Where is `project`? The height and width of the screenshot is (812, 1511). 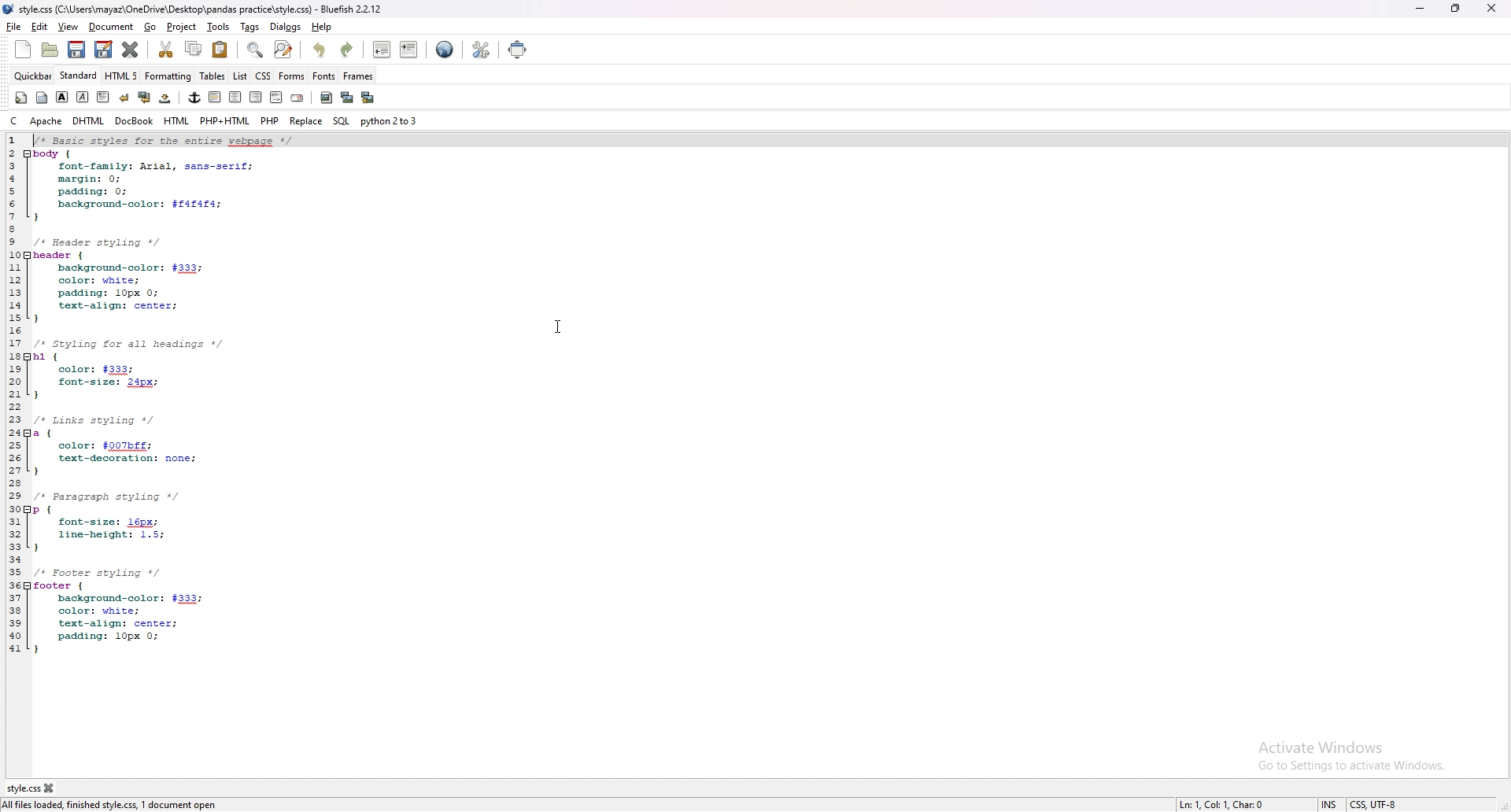 project is located at coordinates (181, 27).